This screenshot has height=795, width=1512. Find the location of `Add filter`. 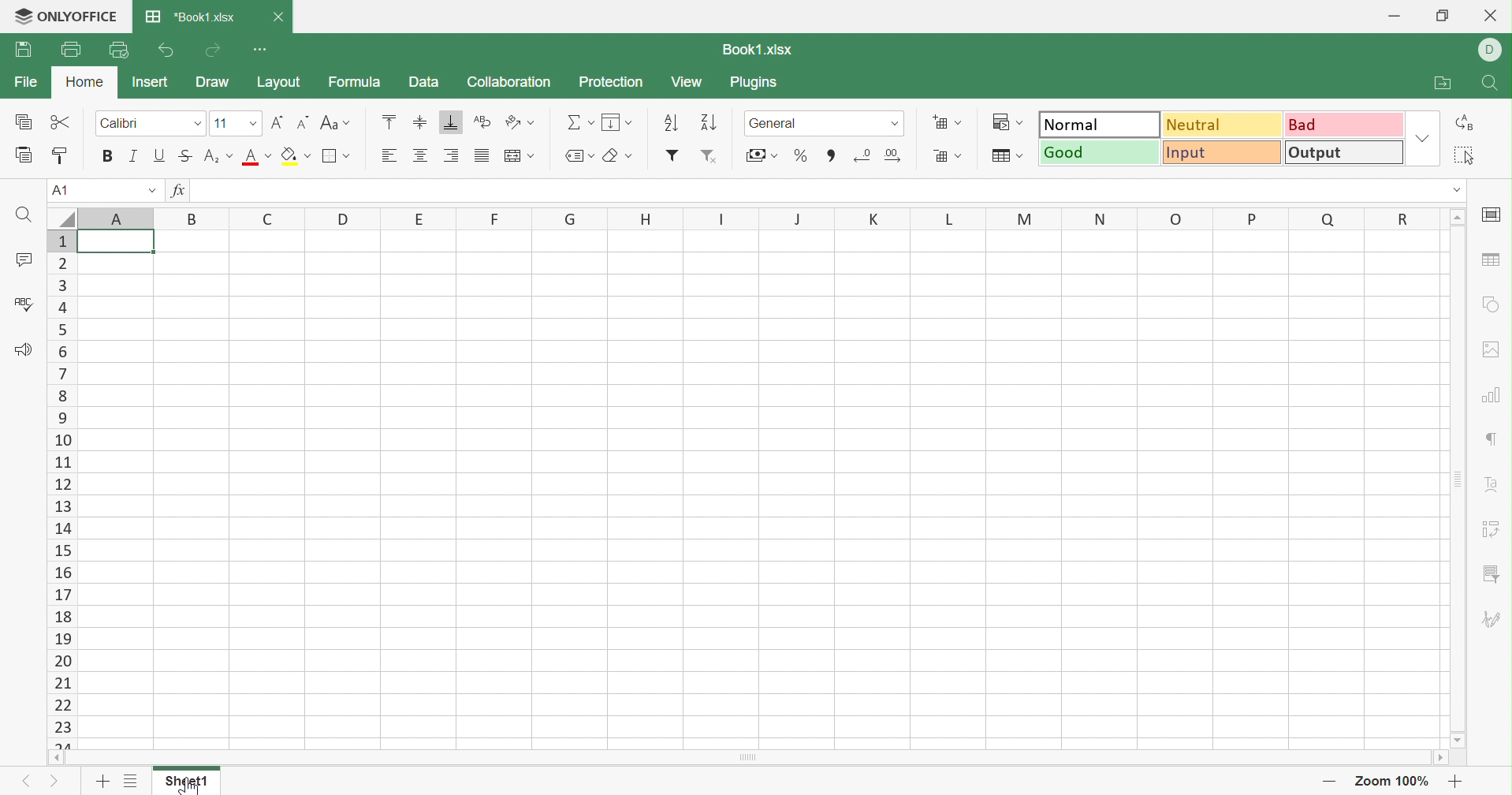

Add filter is located at coordinates (674, 155).